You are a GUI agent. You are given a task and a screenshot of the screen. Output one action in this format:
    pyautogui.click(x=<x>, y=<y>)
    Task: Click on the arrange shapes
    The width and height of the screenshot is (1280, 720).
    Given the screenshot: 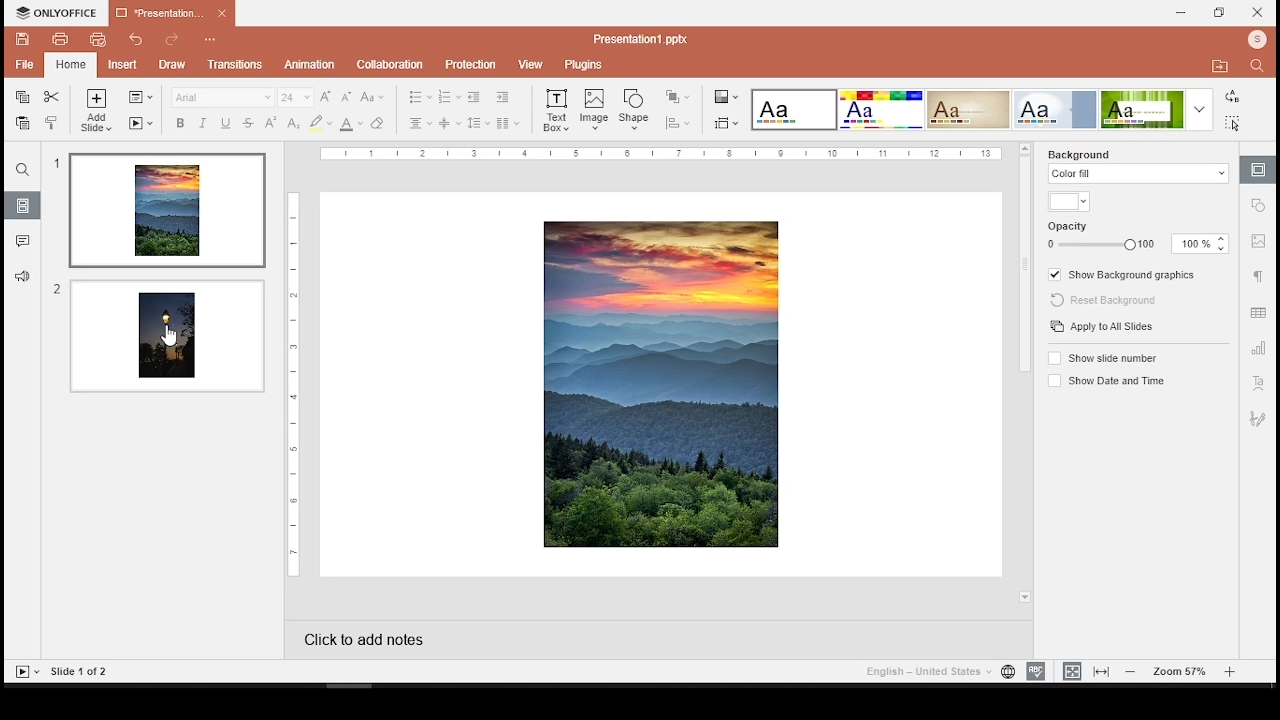 What is the action you would take?
    pyautogui.click(x=676, y=96)
    